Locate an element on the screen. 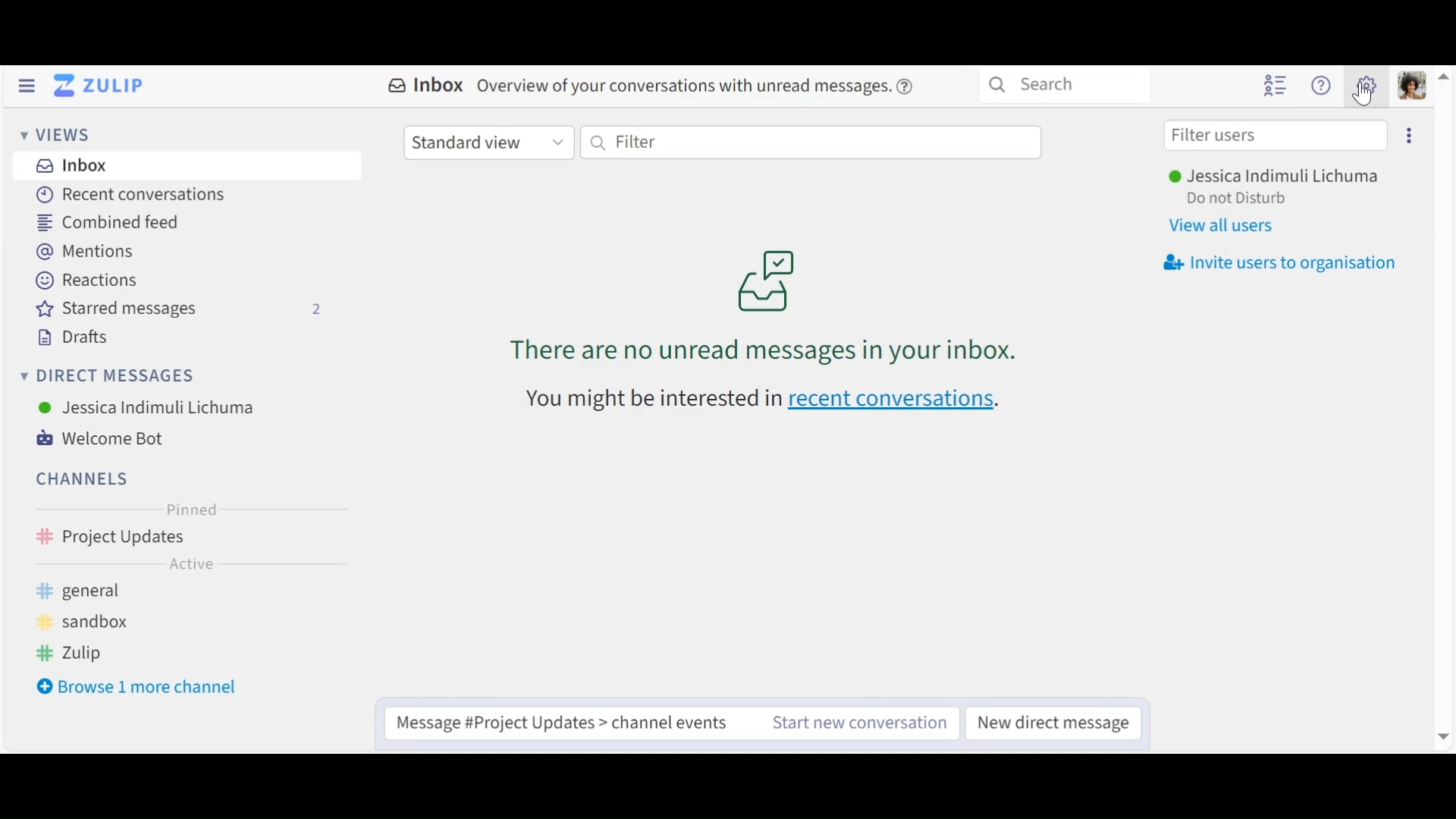 The image size is (1456, 819). Inbox  is located at coordinates (658, 88).